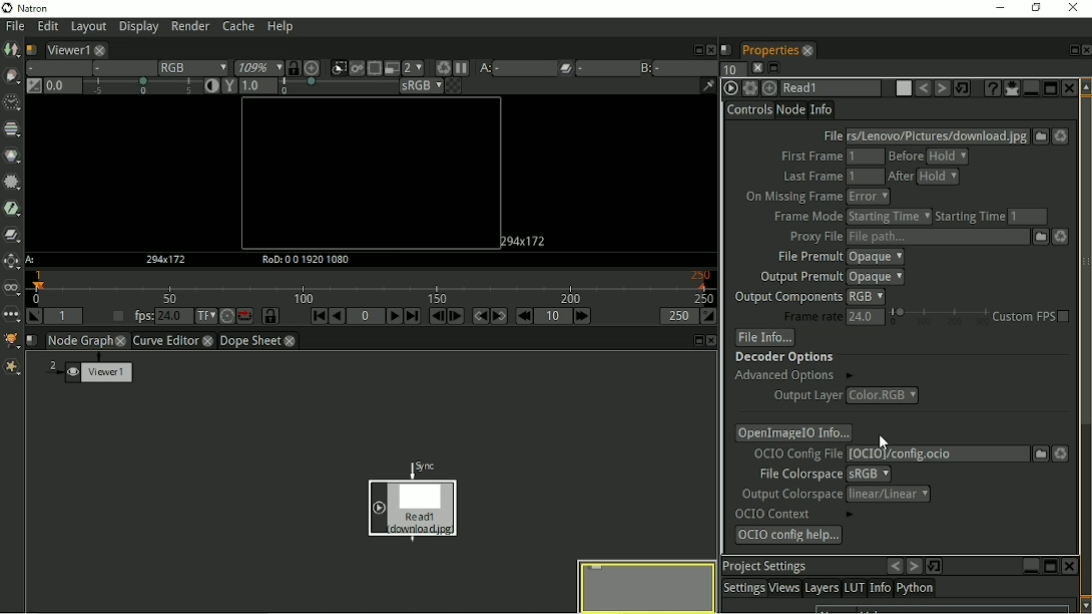 Image resolution: width=1092 pixels, height=614 pixels. Describe the element at coordinates (101, 369) in the screenshot. I see `Viewer1` at that location.